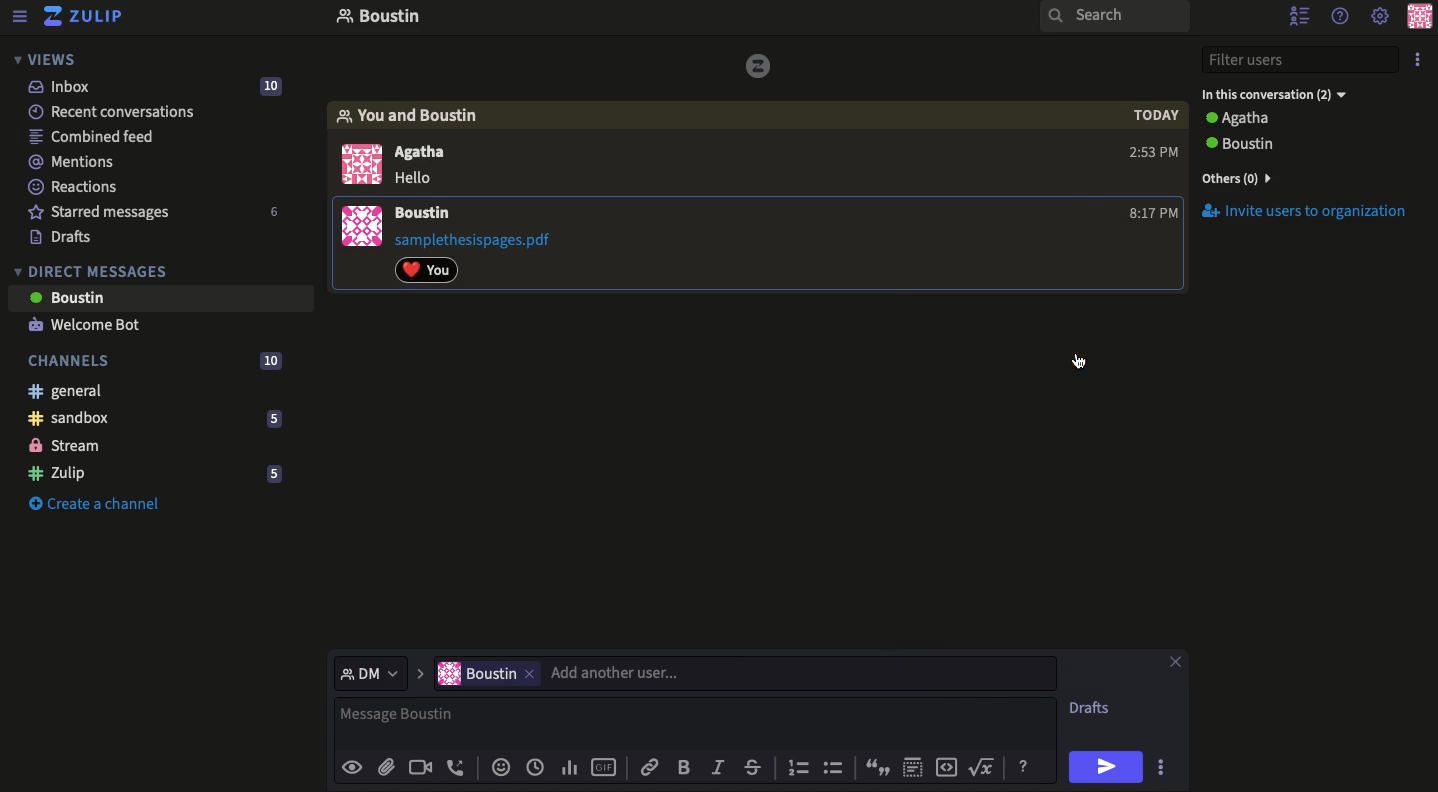 This screenshot has width=1438, height=792. What do you see at coordinates (430, 271) in the screenshot?
I see `Reaction added` at bounding box center [430, 271].